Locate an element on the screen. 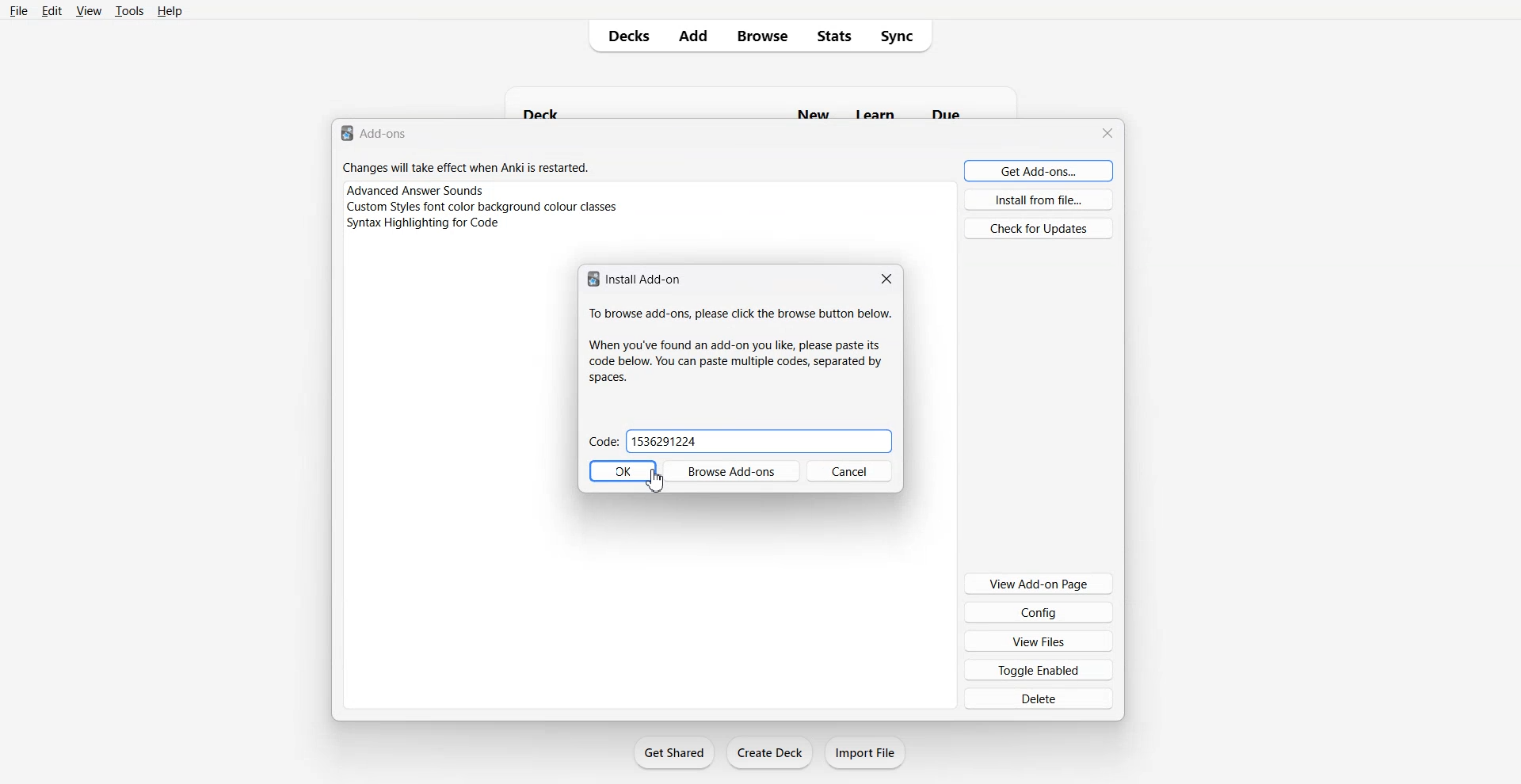 Image resolution: width=1521 pixels, height=784 pixels. new is located at coordinates (811, 113).